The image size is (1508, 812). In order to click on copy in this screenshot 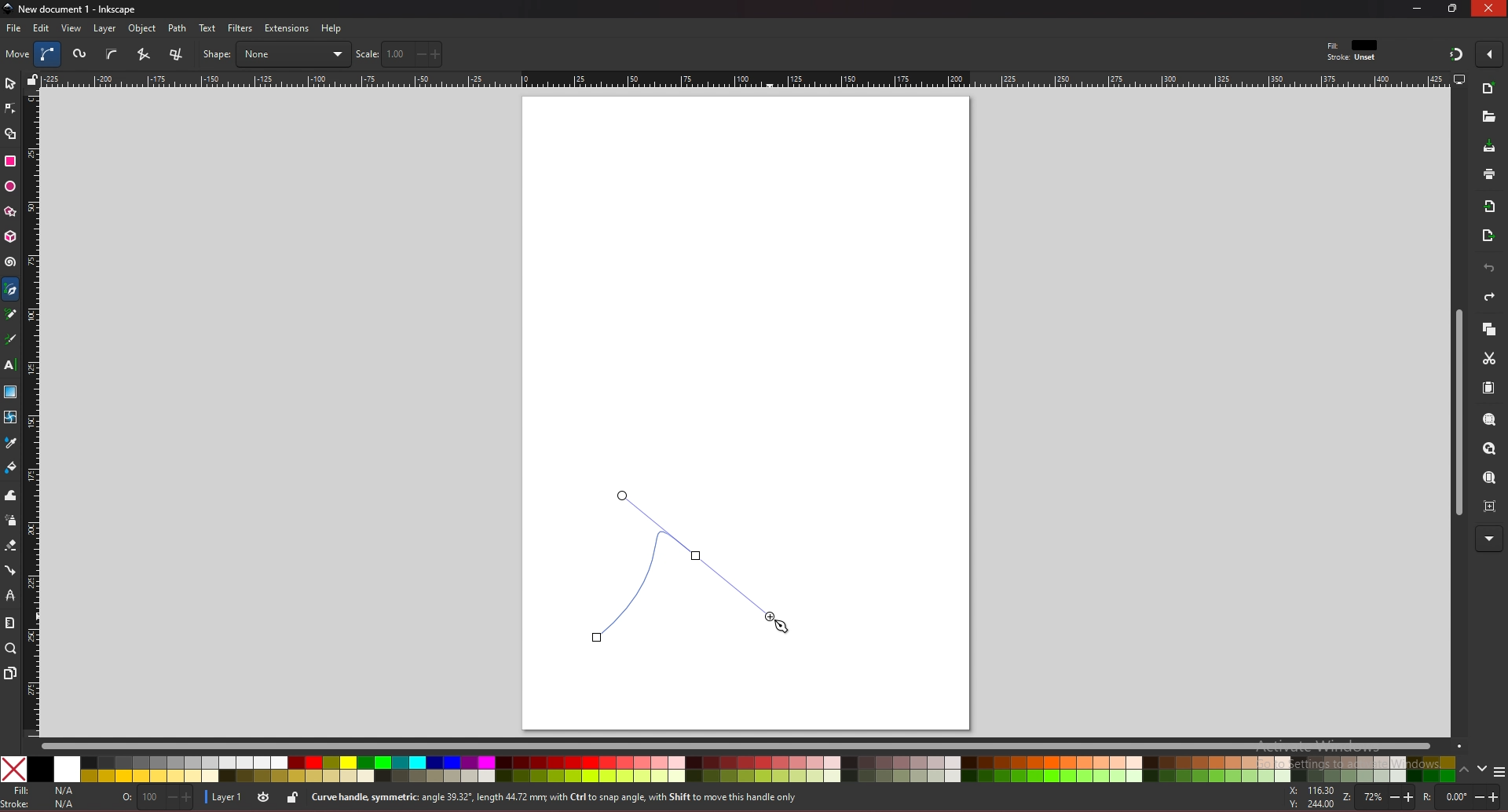, I will do `click(1488, 330)`.